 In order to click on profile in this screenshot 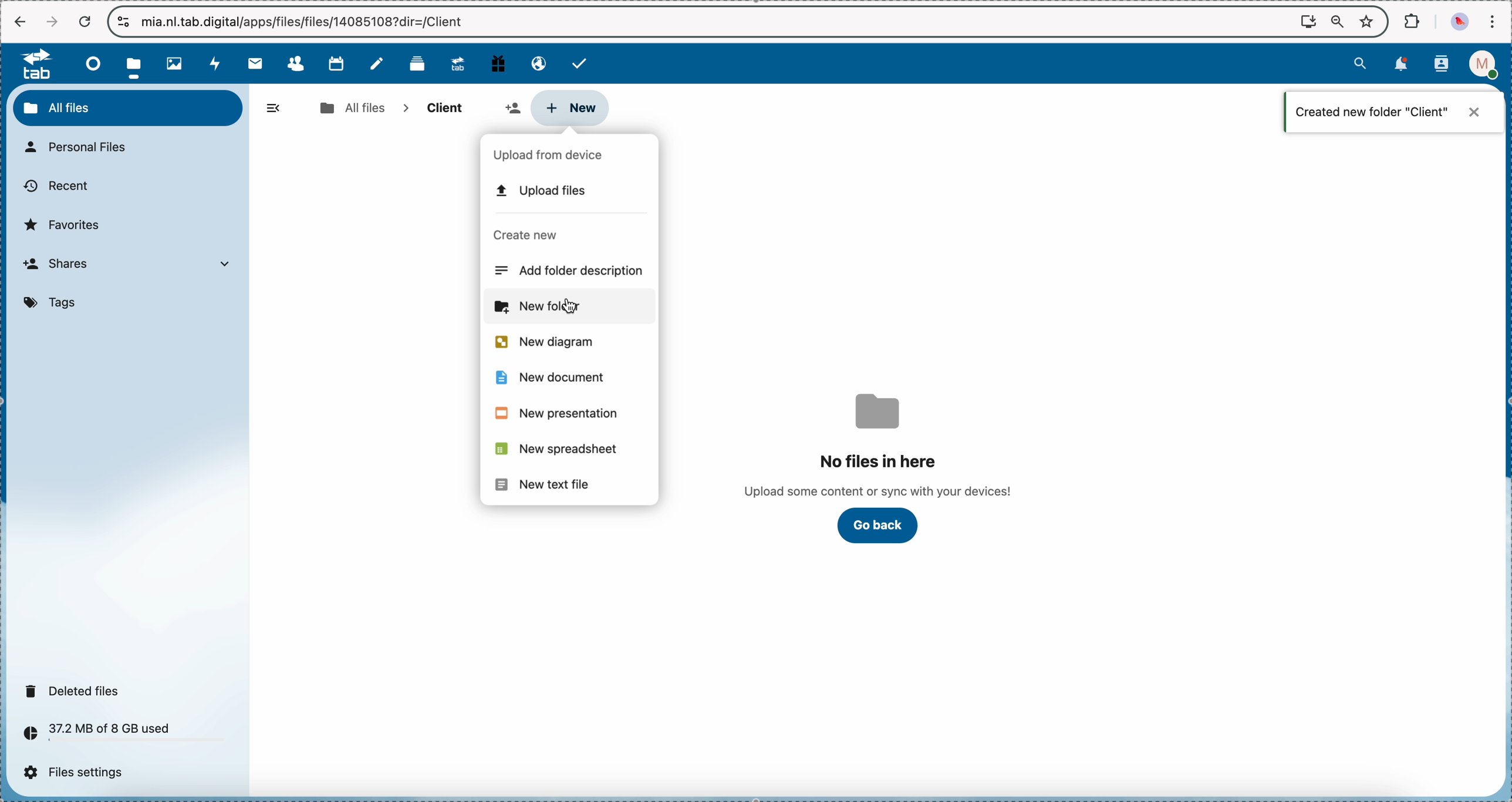, I will do `click(1487, 65)`.